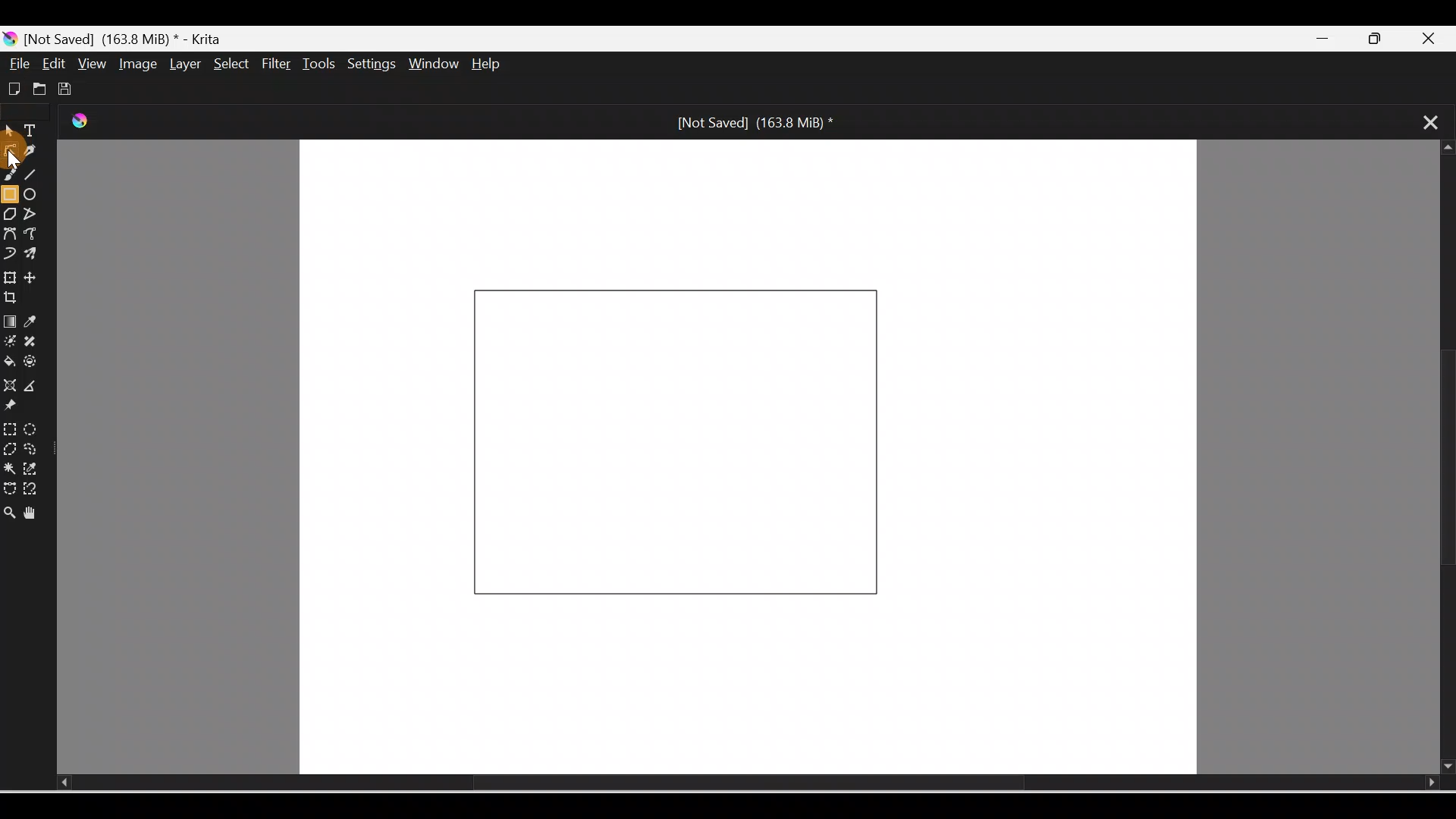  Describe the element at coordinates (36, 322) in the screenshot. I see `Sample a color from image/current layer` at that location.